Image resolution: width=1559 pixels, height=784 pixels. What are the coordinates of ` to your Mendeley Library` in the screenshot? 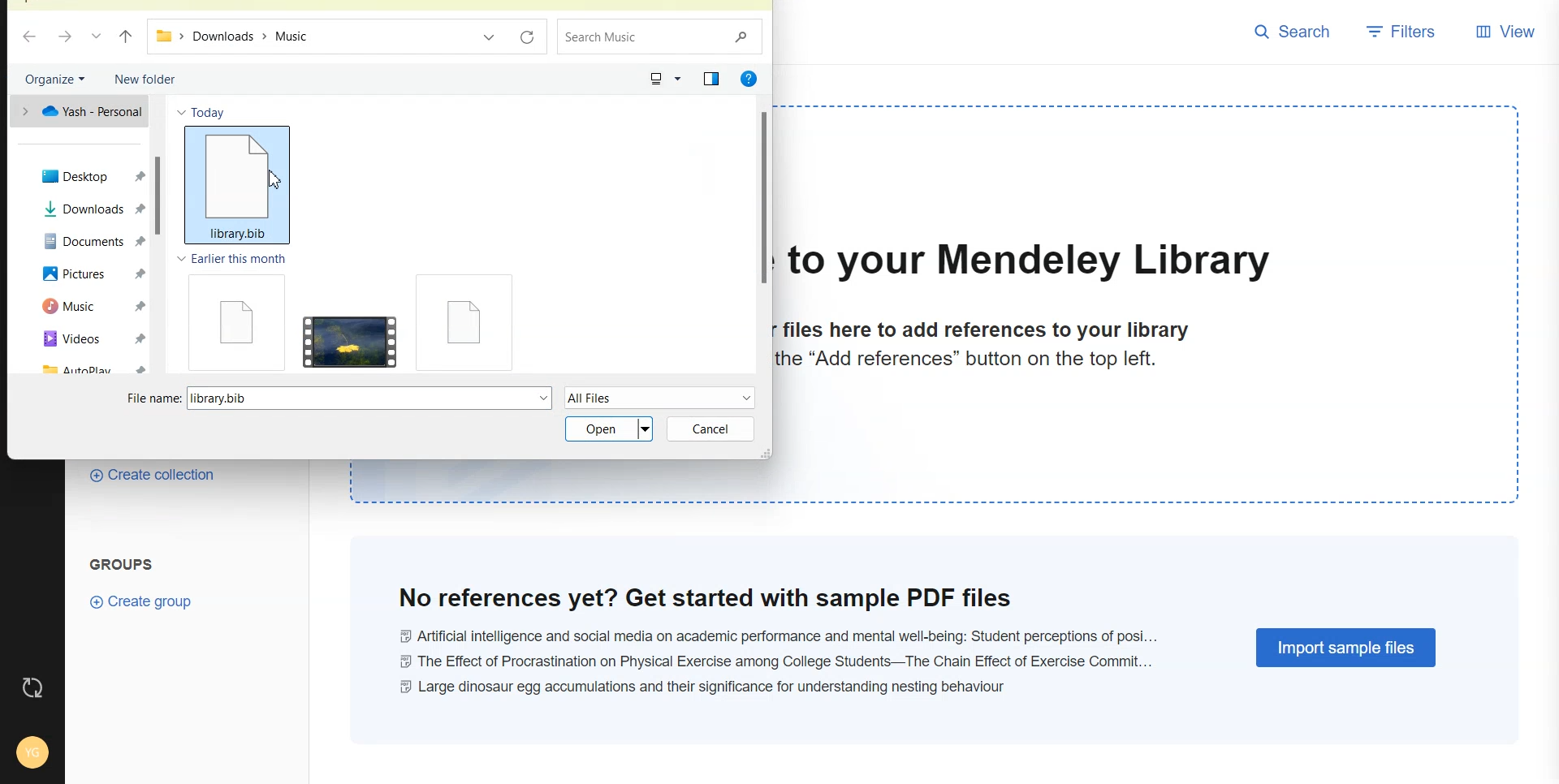 It's located at (1029, 265).